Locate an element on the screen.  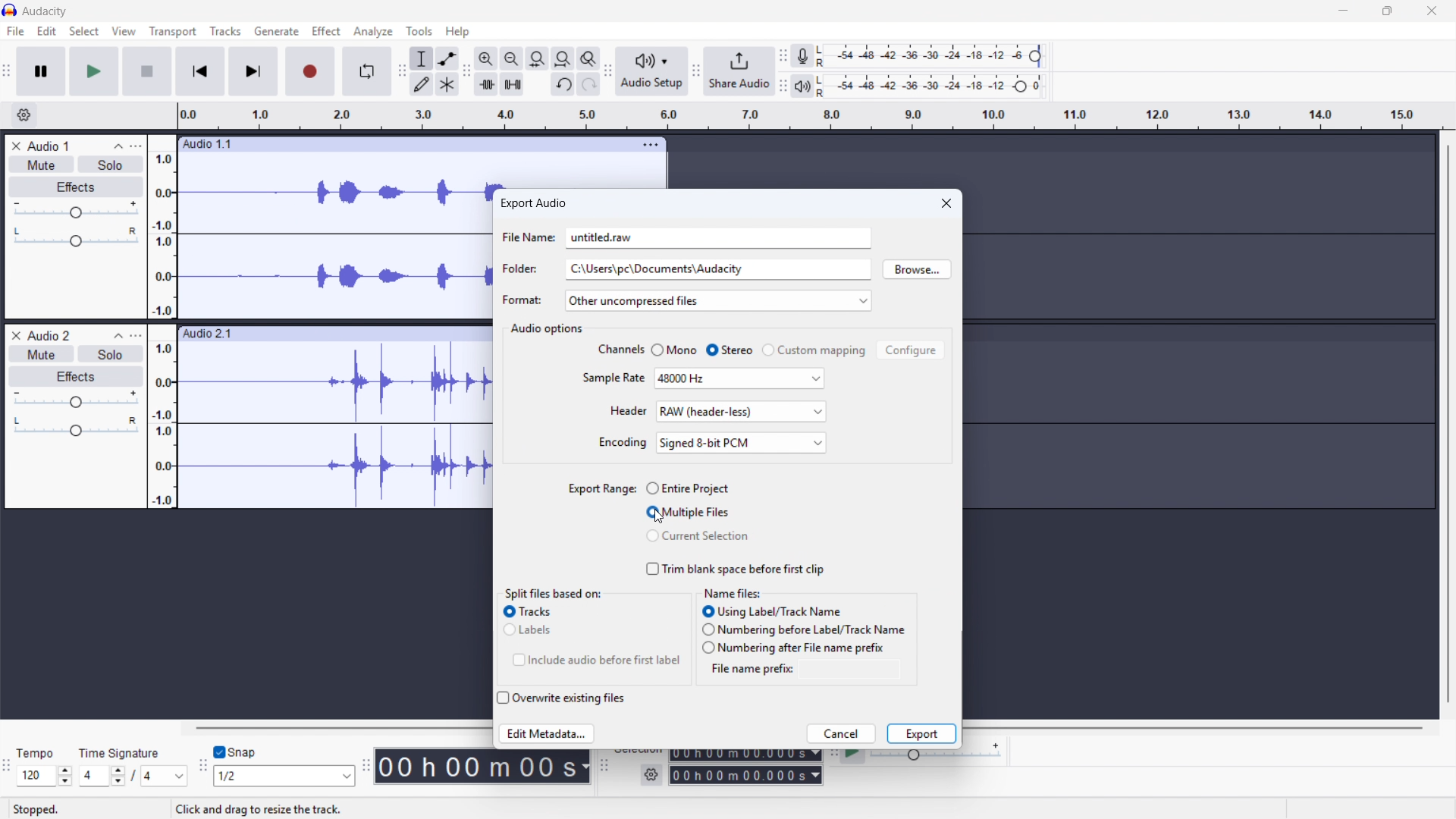
Timeline  is located at coordinates (811, 116).